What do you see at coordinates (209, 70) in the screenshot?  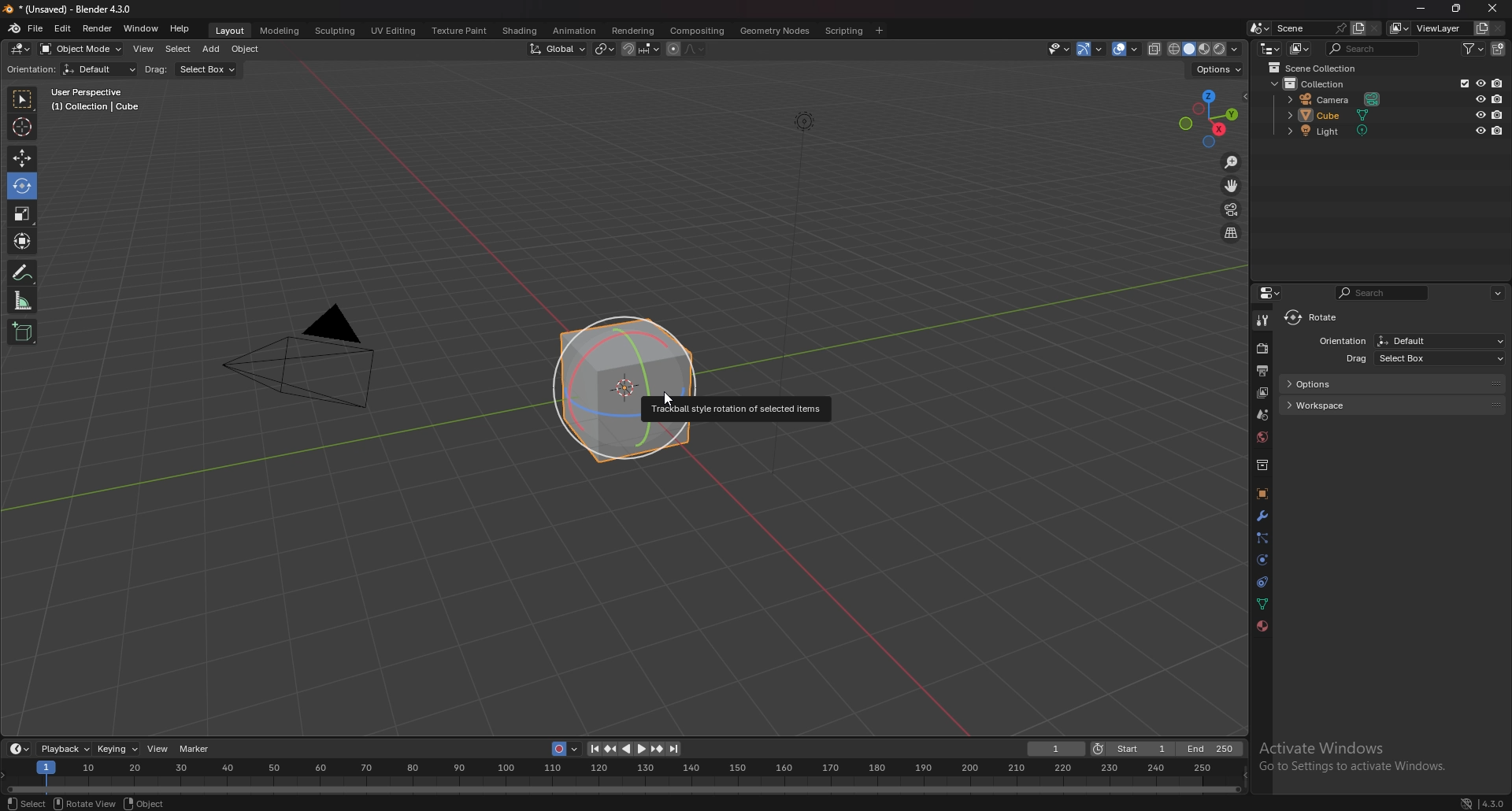 I see `select box` at bounding box center [209, 70].